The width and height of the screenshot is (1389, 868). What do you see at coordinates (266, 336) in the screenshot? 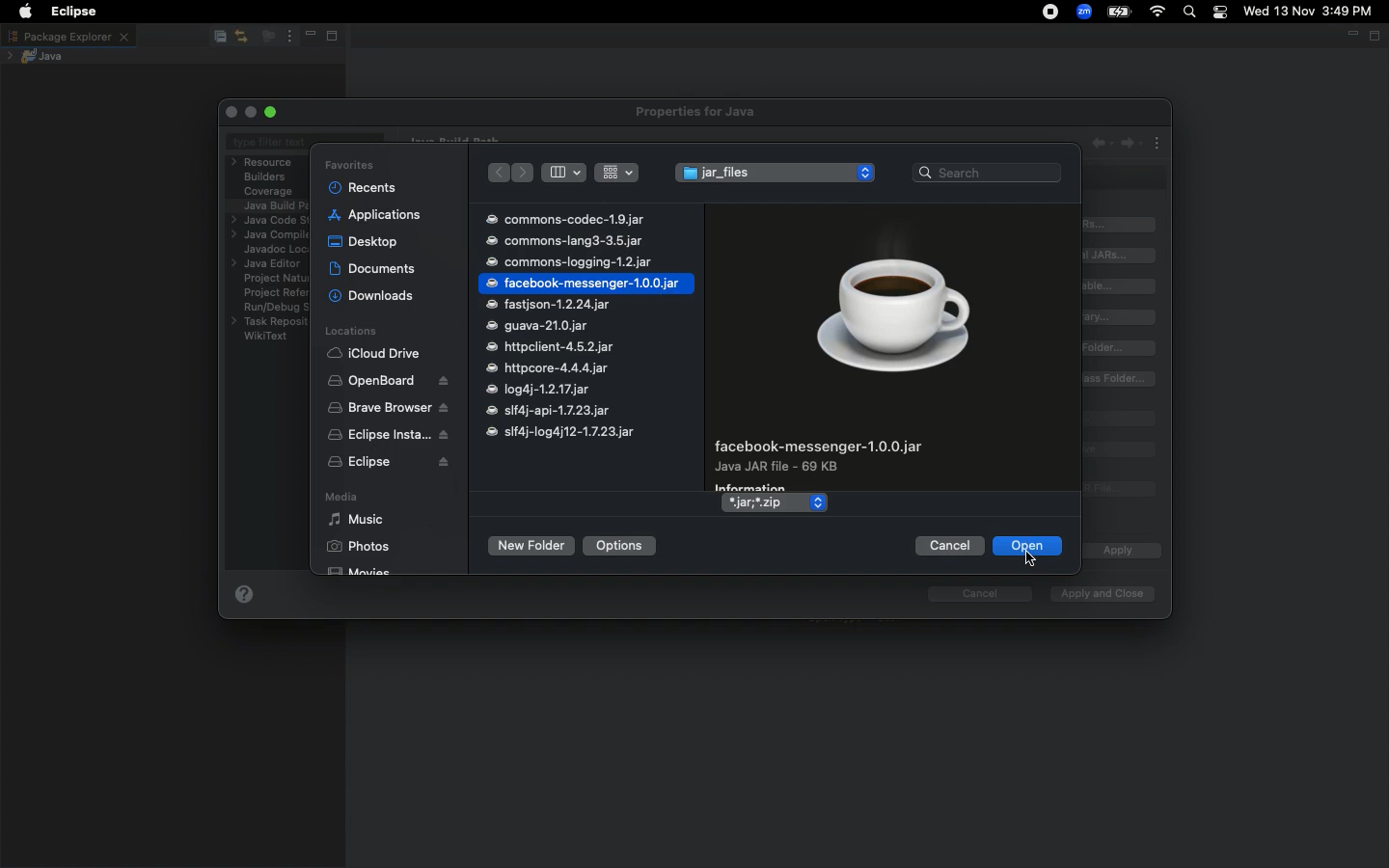
I see `WikiText` at bounding box center [266, 336].